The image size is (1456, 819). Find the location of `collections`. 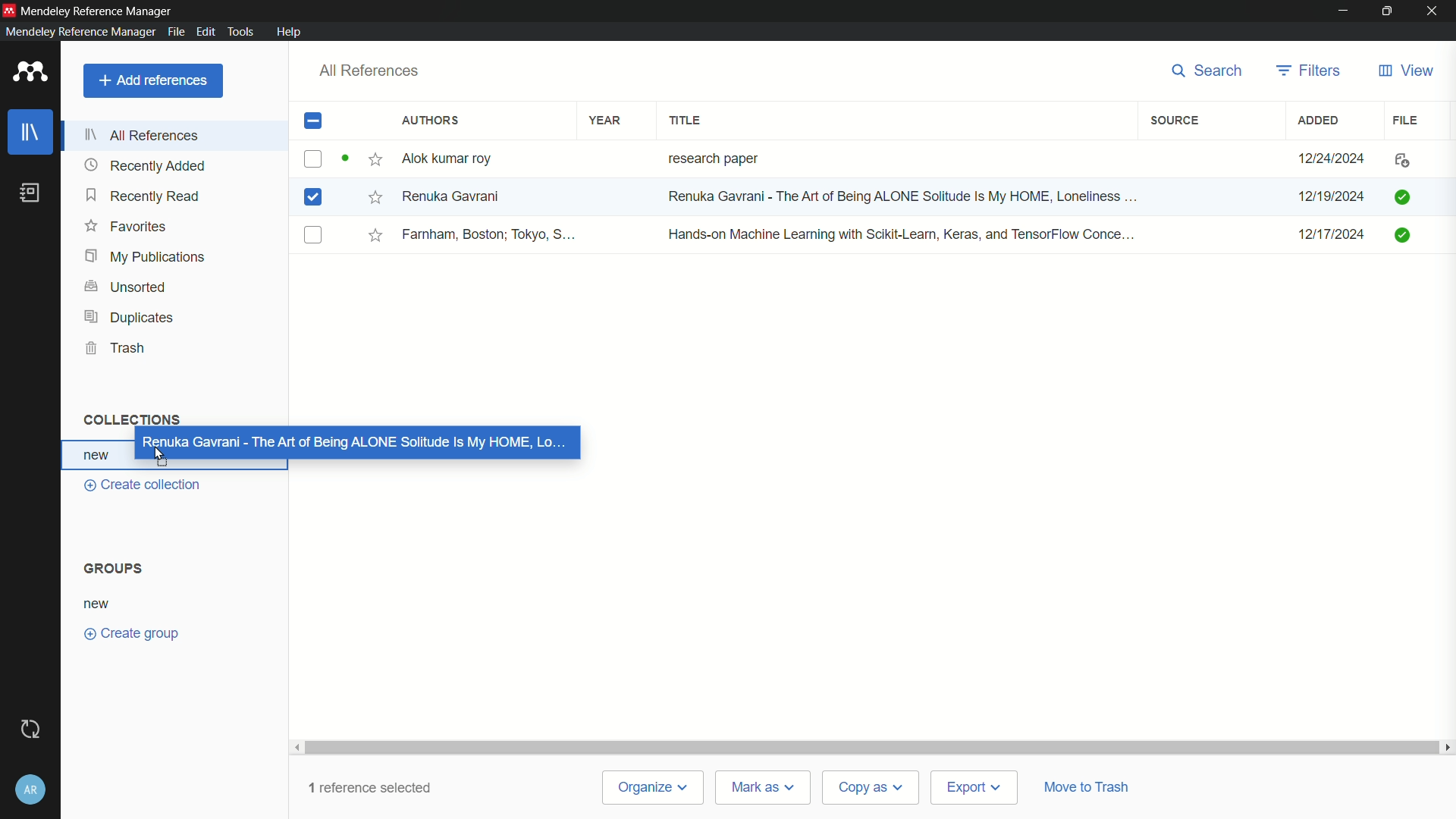

collections is located at coordinates (131, 421).